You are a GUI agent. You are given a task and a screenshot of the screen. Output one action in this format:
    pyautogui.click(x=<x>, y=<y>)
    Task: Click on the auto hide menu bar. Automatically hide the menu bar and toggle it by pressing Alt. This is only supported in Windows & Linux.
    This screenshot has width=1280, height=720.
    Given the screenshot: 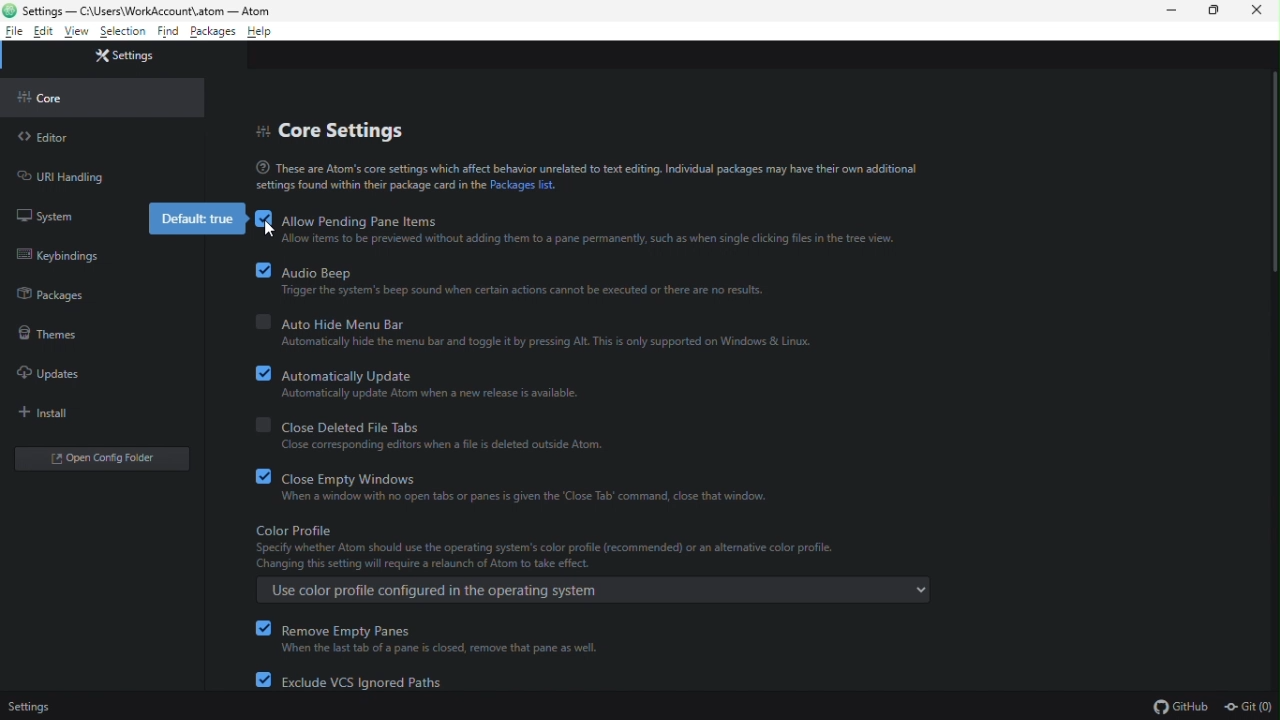 What is the action you would take?
    pyautogui.click(x=536, y=333)
    